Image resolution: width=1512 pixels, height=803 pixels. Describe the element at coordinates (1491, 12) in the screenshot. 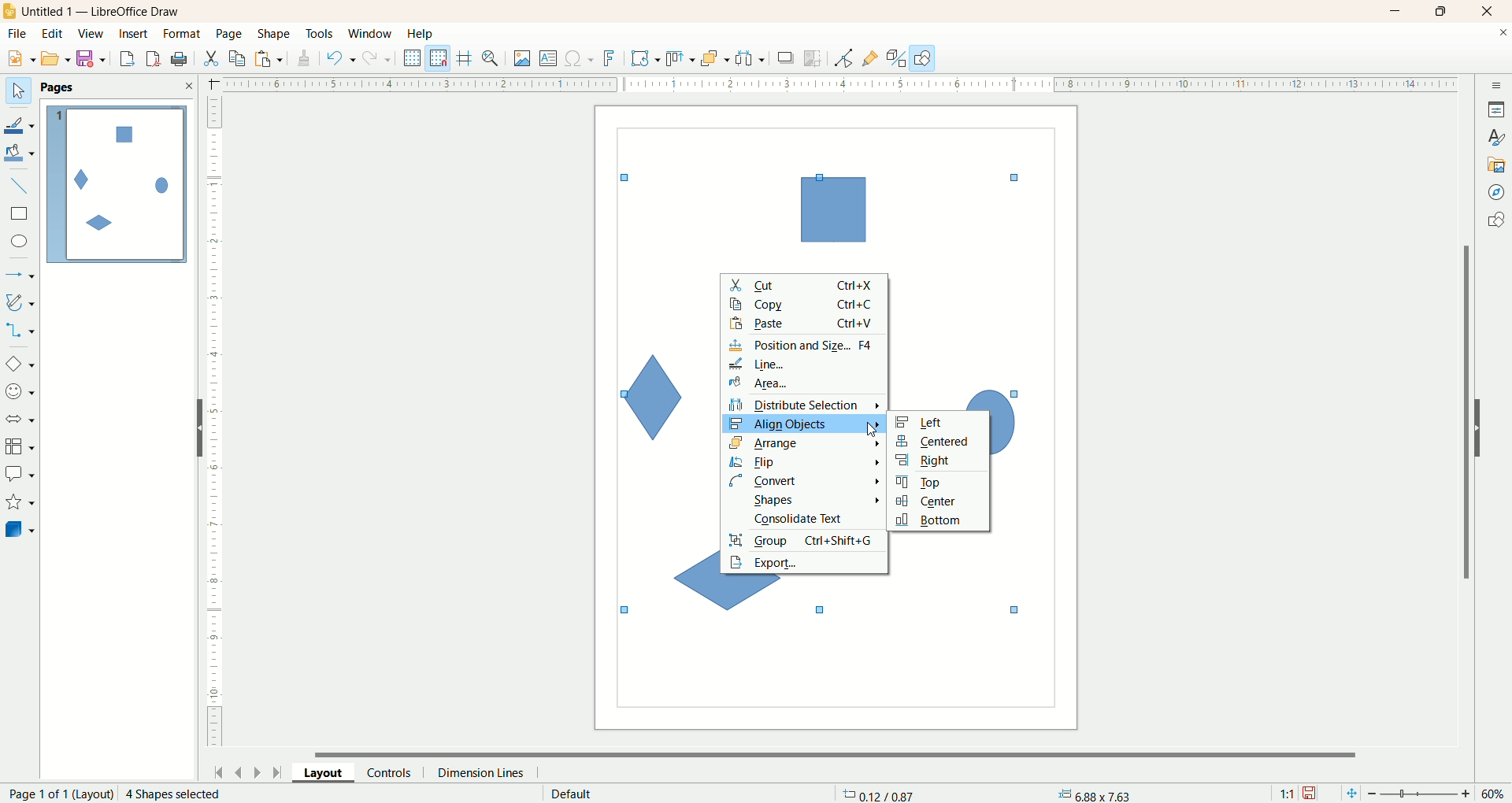

I see `close` at that location.